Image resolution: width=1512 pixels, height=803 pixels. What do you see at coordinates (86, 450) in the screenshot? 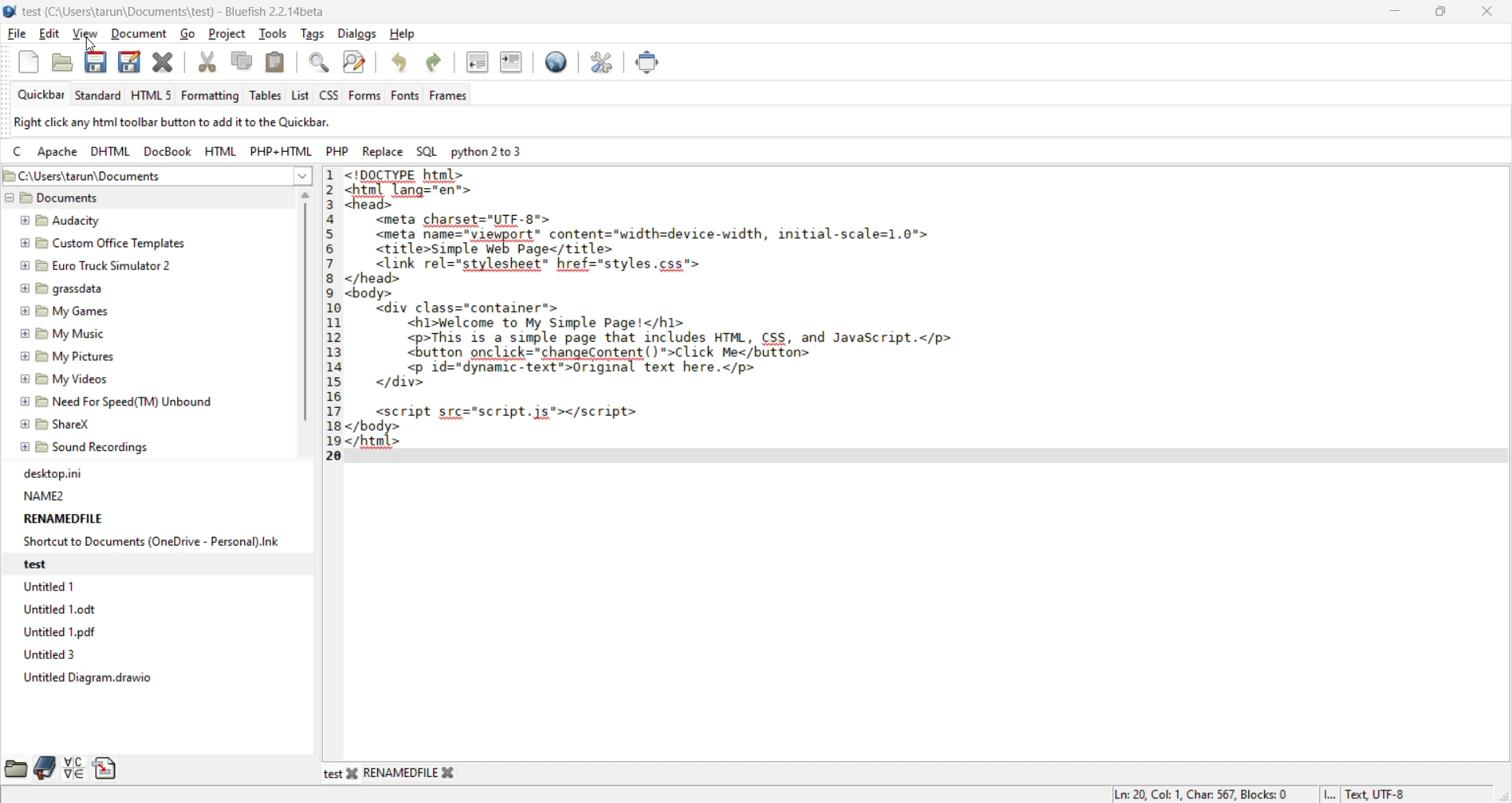
I see `@ [9 Sound Recordings` at bounding box center [86, 450].